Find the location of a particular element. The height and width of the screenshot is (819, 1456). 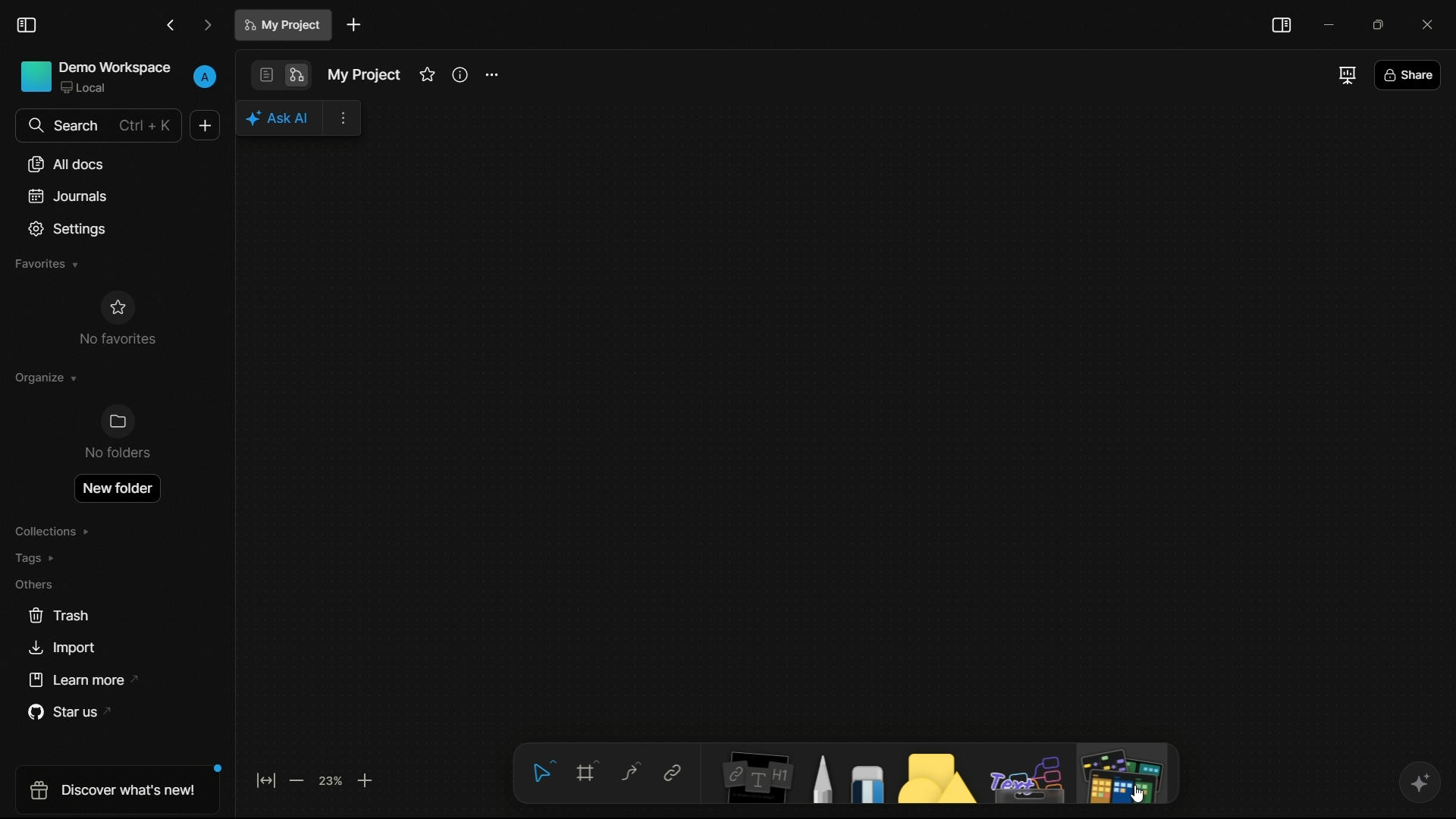

notes is located at coordinates (757, 777).